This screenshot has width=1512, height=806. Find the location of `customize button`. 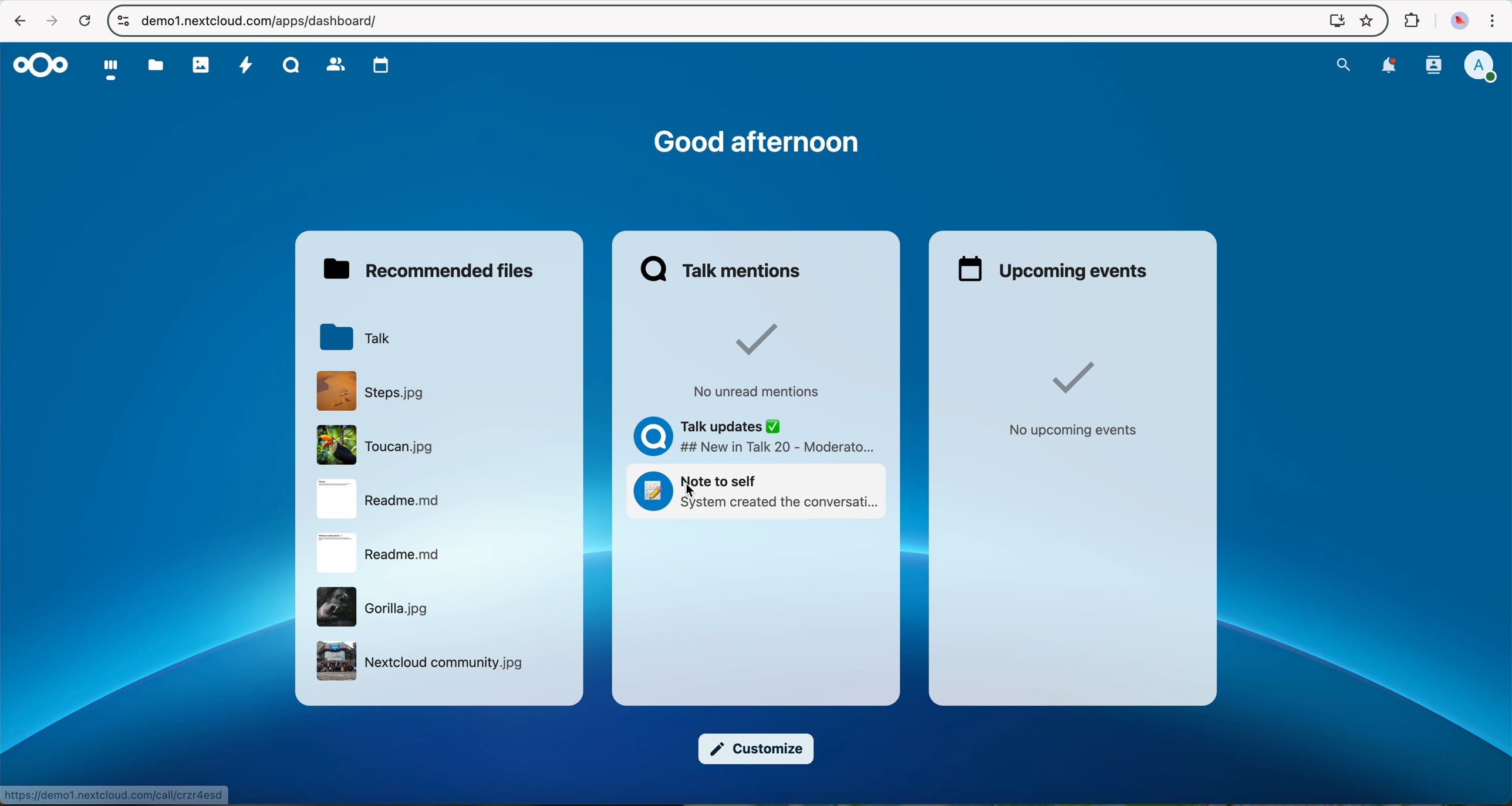

customize button is located at coordinates (757, 749).